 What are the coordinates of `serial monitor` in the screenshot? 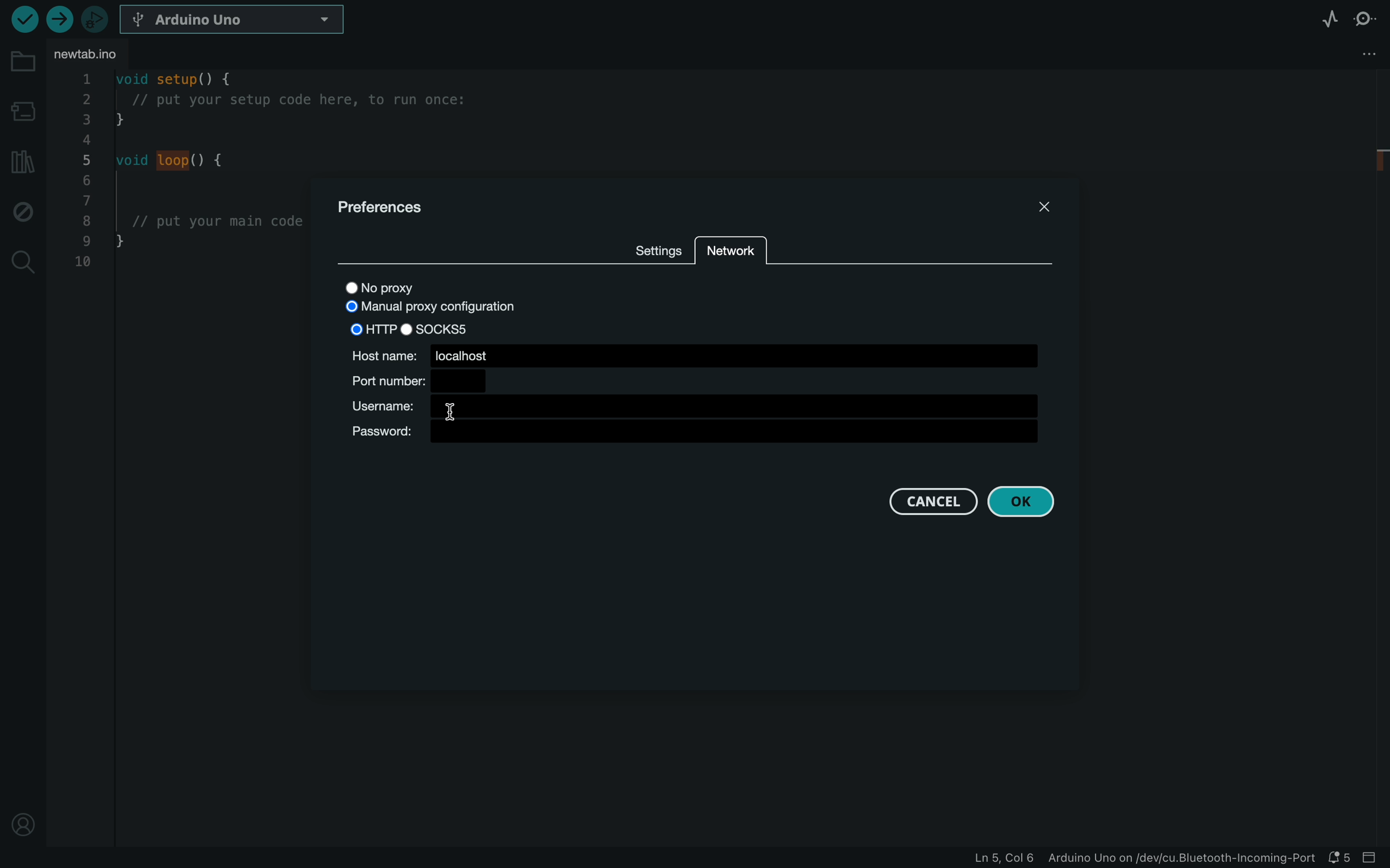 It's located at (1365, 23).